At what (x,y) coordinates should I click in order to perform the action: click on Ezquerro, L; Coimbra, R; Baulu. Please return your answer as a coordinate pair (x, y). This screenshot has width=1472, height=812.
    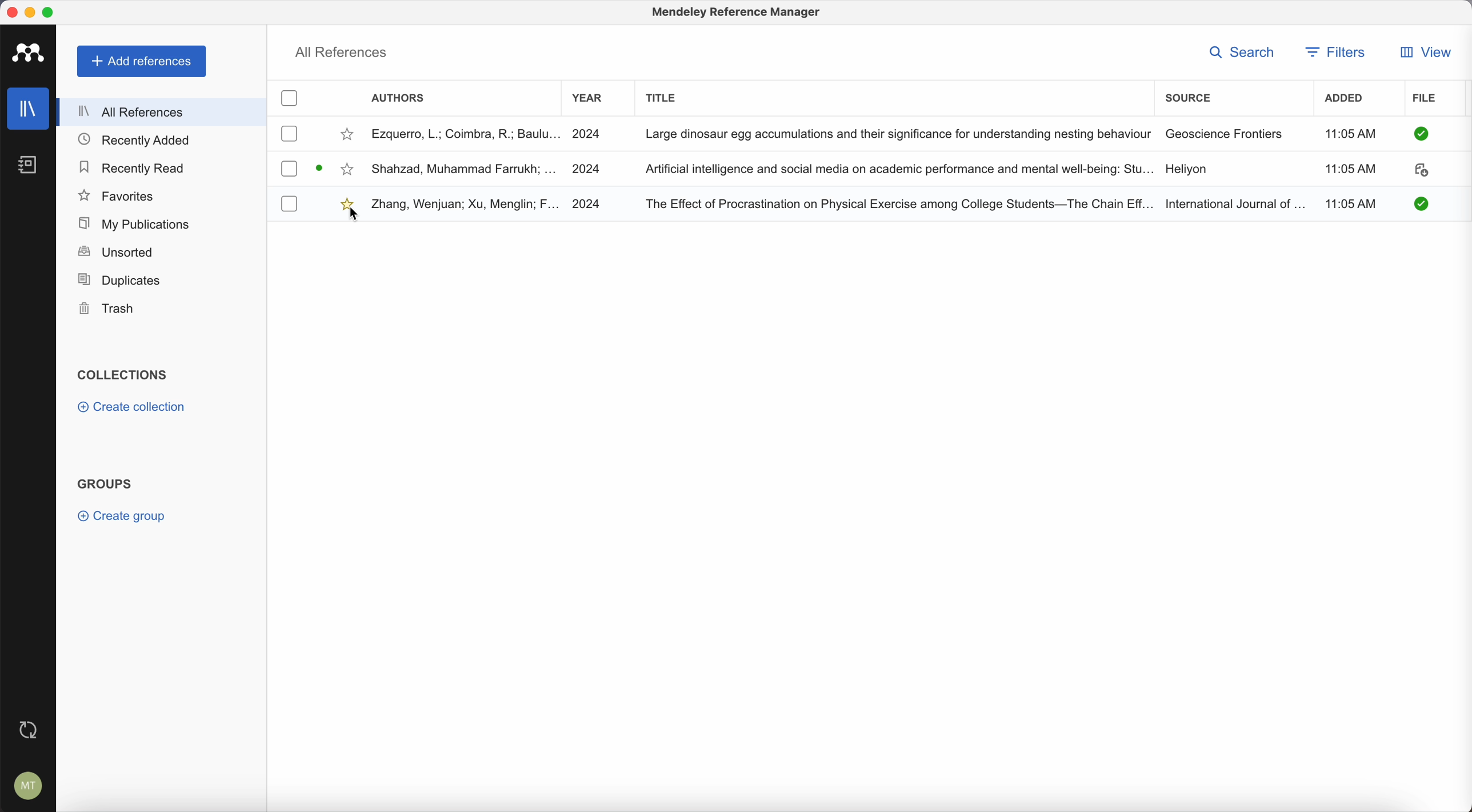
    Looking at the image, I should click on (466, 133).